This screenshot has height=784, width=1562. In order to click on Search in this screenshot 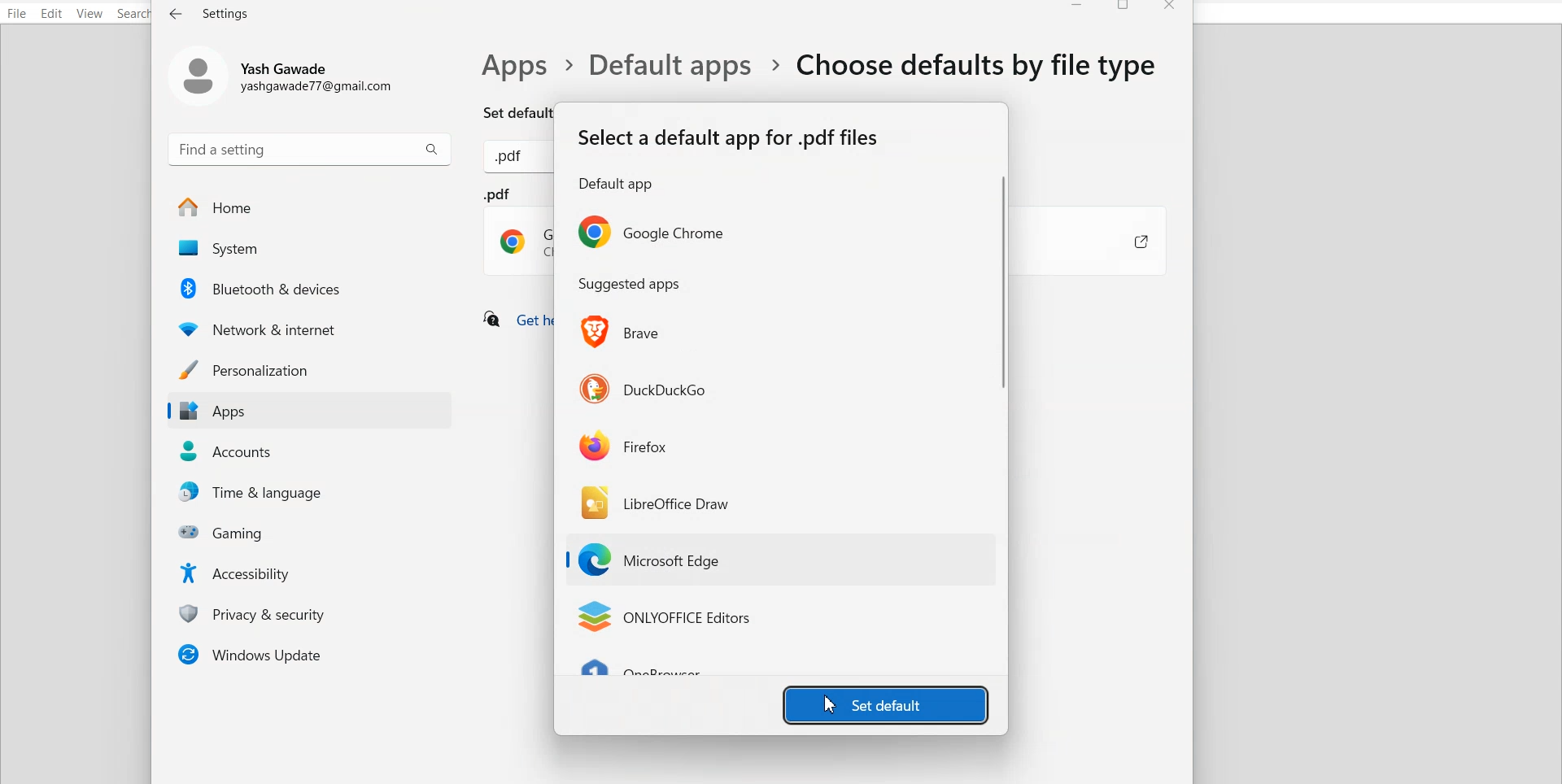, I will do `click(135, 14)`.